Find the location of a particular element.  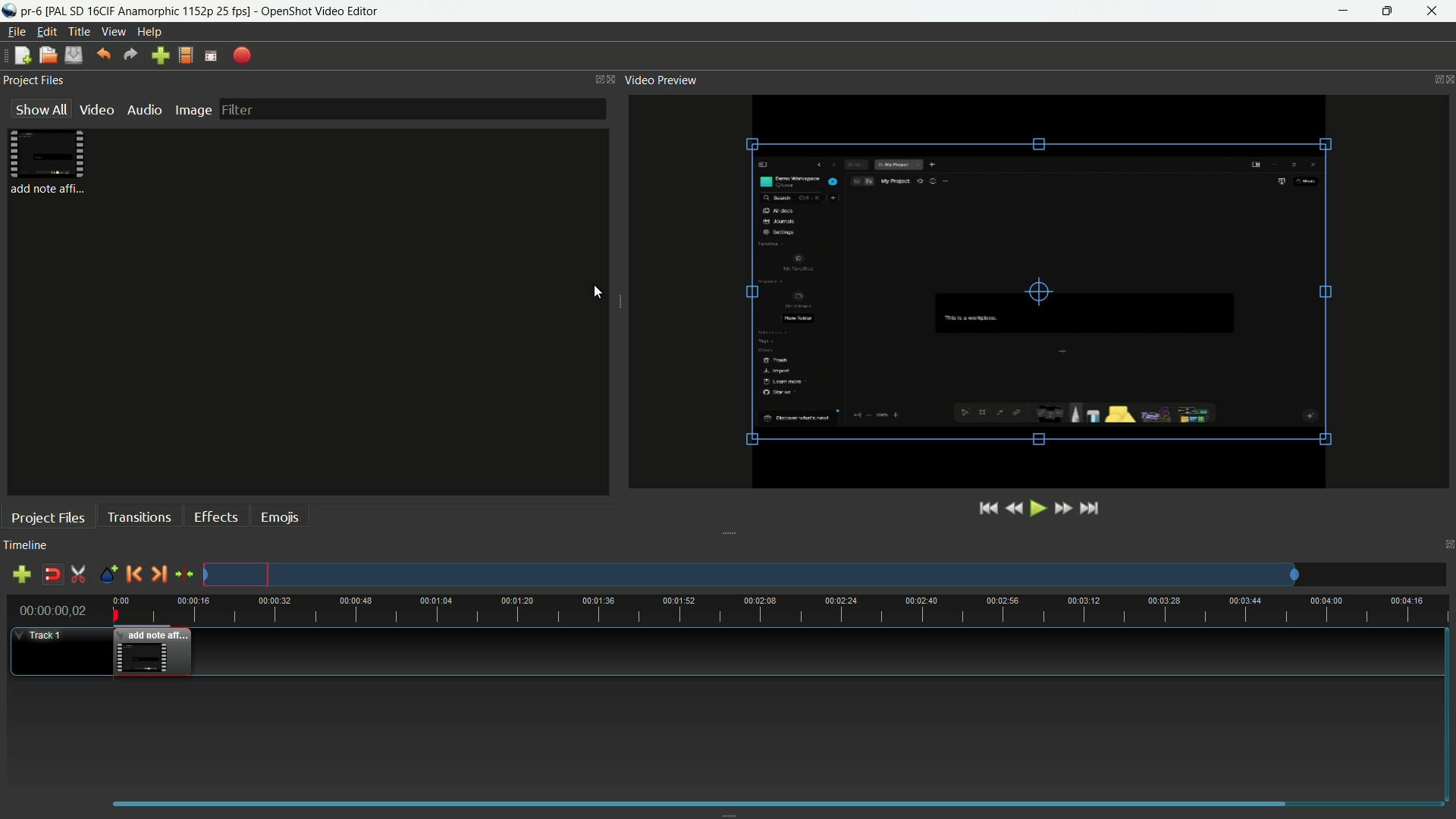

track-1 is located at coordinates (44, 634).